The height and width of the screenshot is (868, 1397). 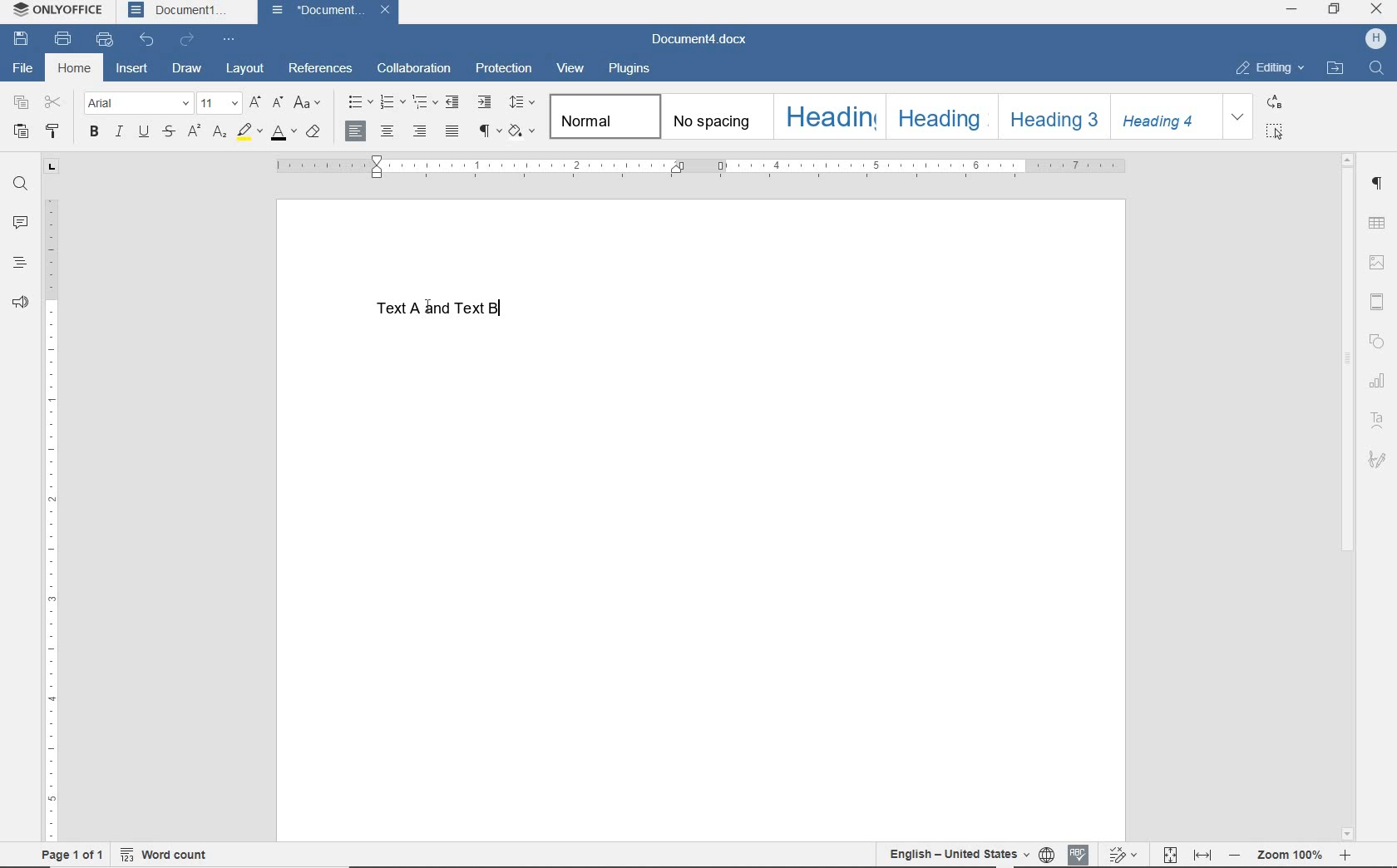 What do you see at coordinates (193, 132) in the screenshot?
I see `SUPERSCRIPT` at bounding box center [193, 132].